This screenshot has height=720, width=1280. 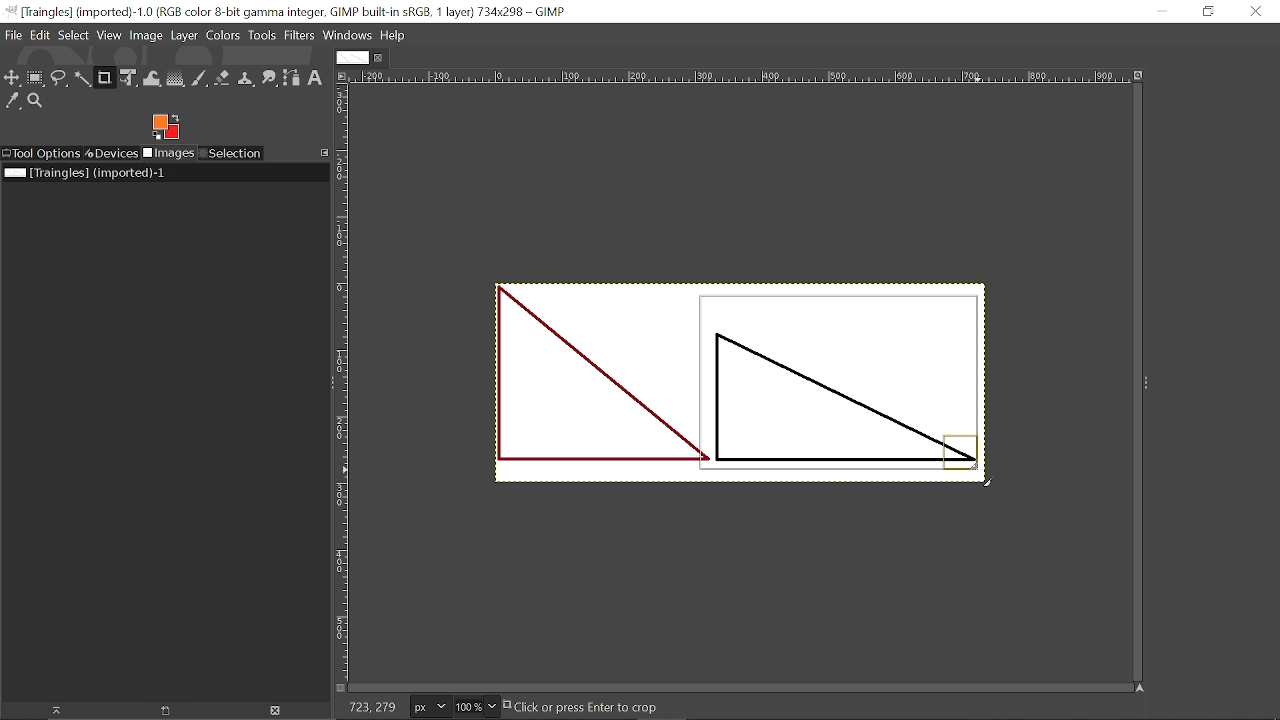 What do you see at coordinates (1148, 263) in the screenshot?
I see `Text tool` at bounding box center [1148, 263].